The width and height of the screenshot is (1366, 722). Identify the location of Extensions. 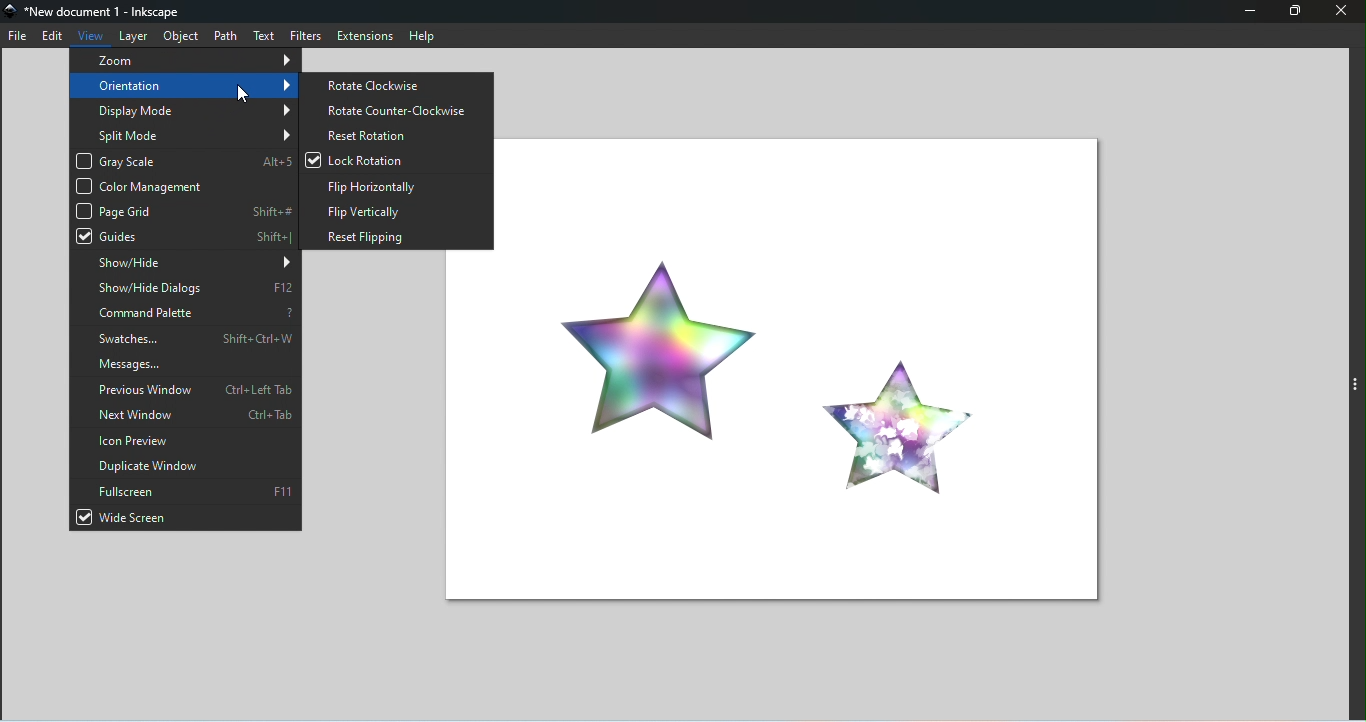
(362, 35).